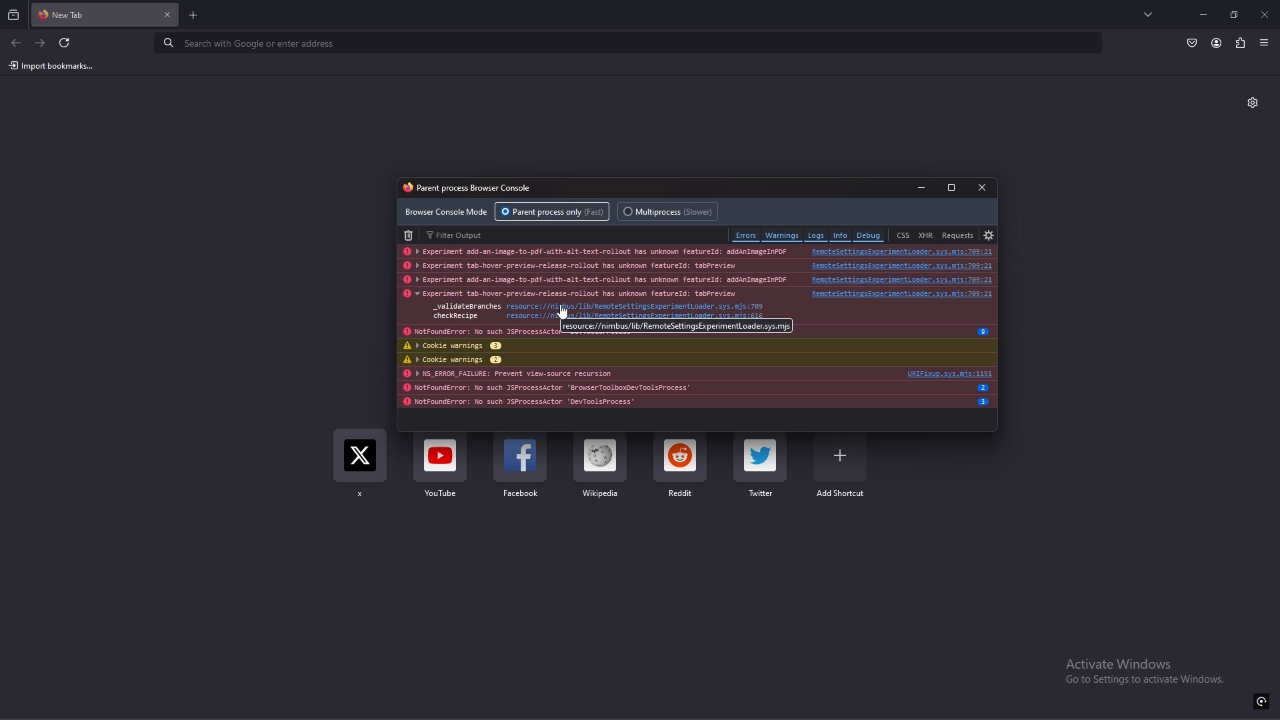 Image resolution: width=1280 pixels, height=720 pixels. Describe the element at coordinates (1261, 701) in the screenshot. I see `icon` at that location.